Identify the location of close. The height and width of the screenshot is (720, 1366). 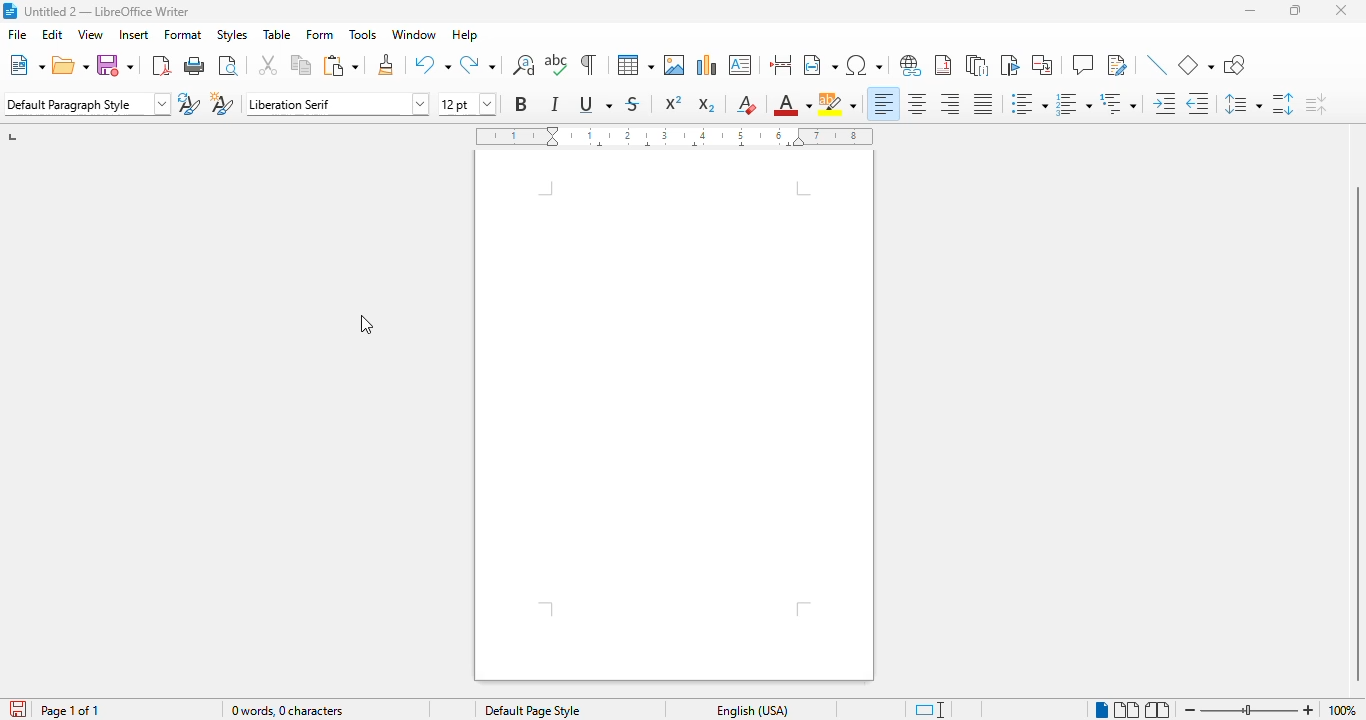
(1340, 10).